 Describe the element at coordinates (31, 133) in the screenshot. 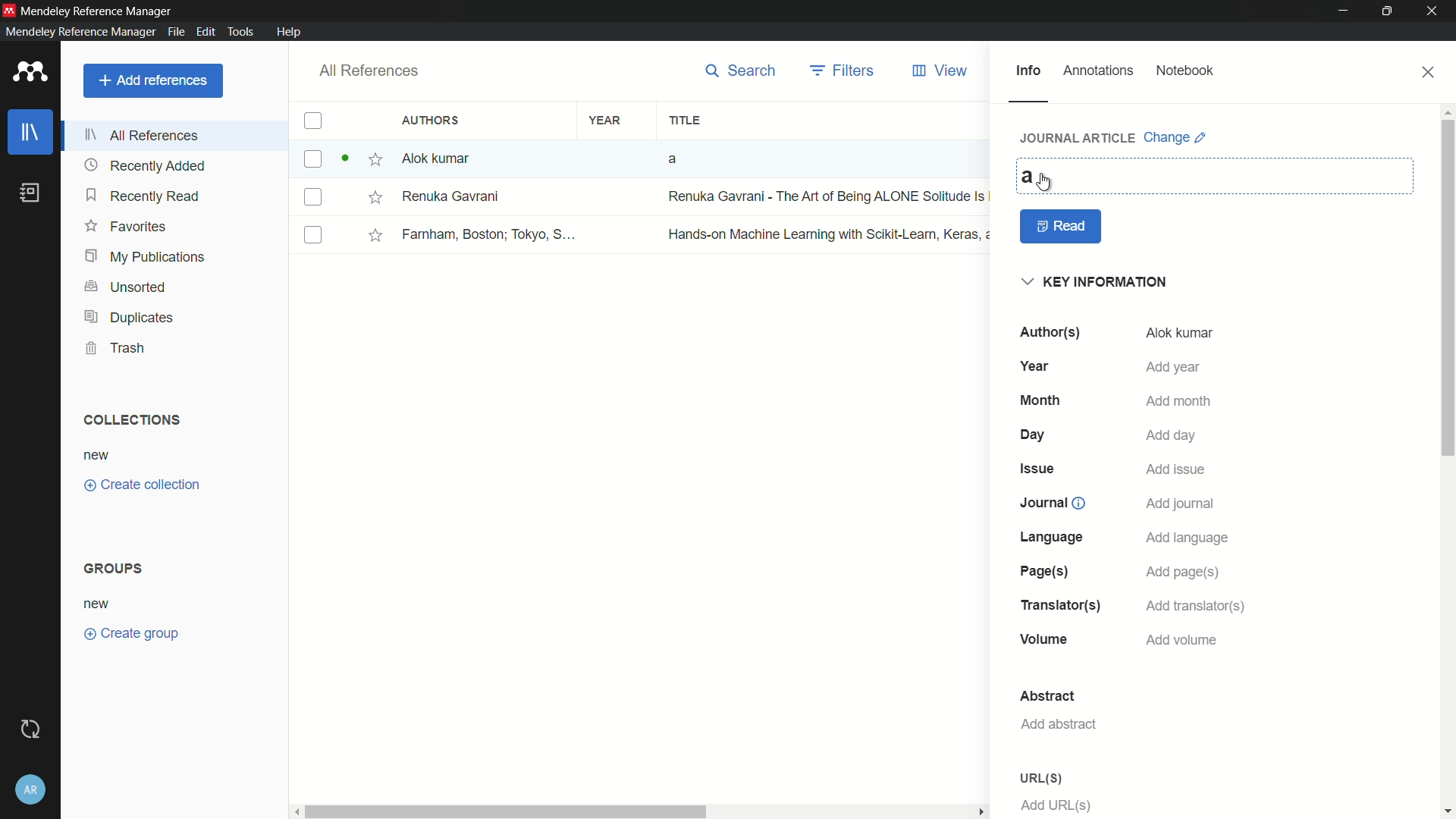

I see `library` at that location.